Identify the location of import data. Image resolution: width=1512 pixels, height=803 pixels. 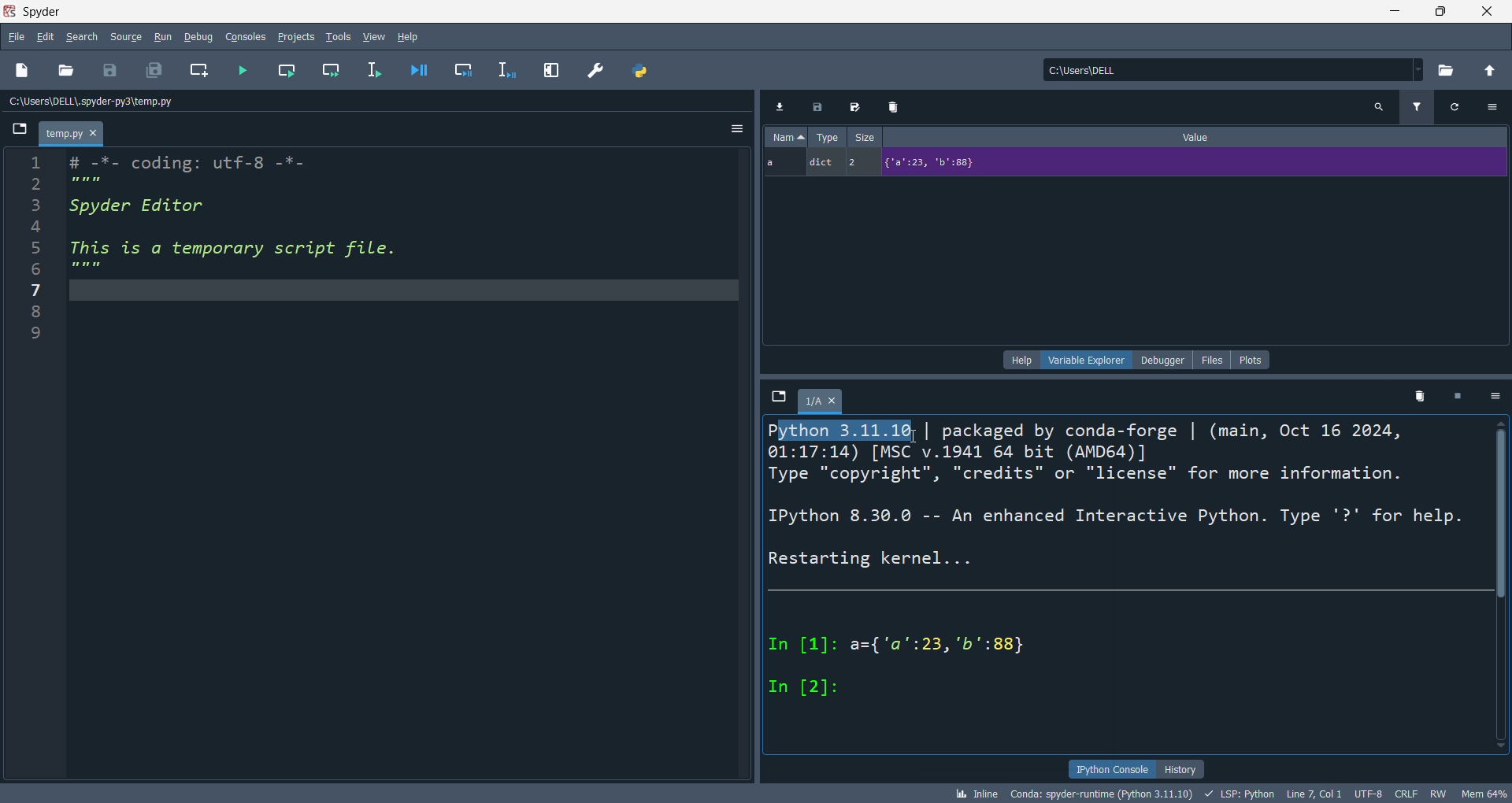
(779, 106).